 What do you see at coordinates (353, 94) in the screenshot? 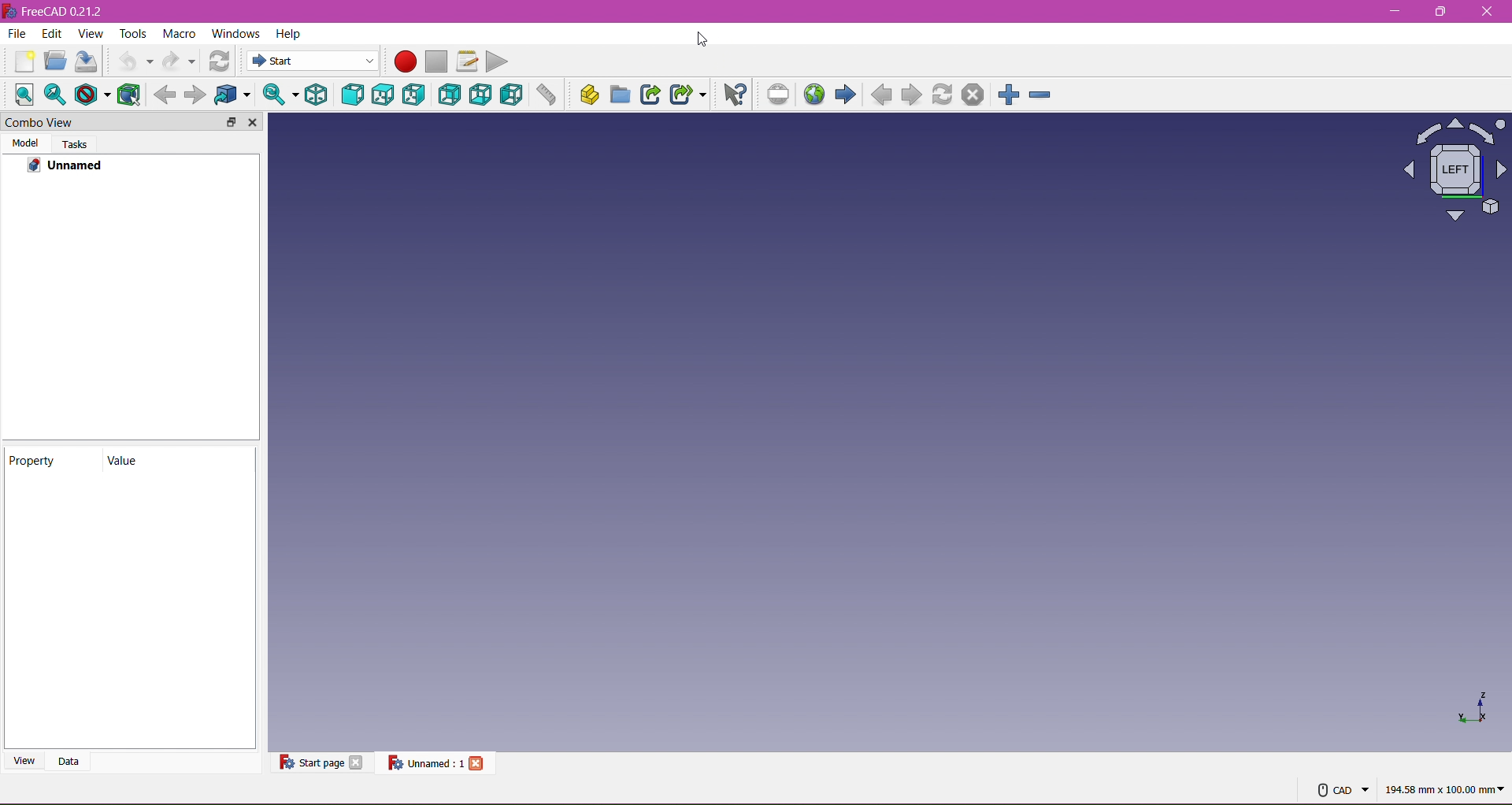
I see `Front` at bounding box center [353, 94].